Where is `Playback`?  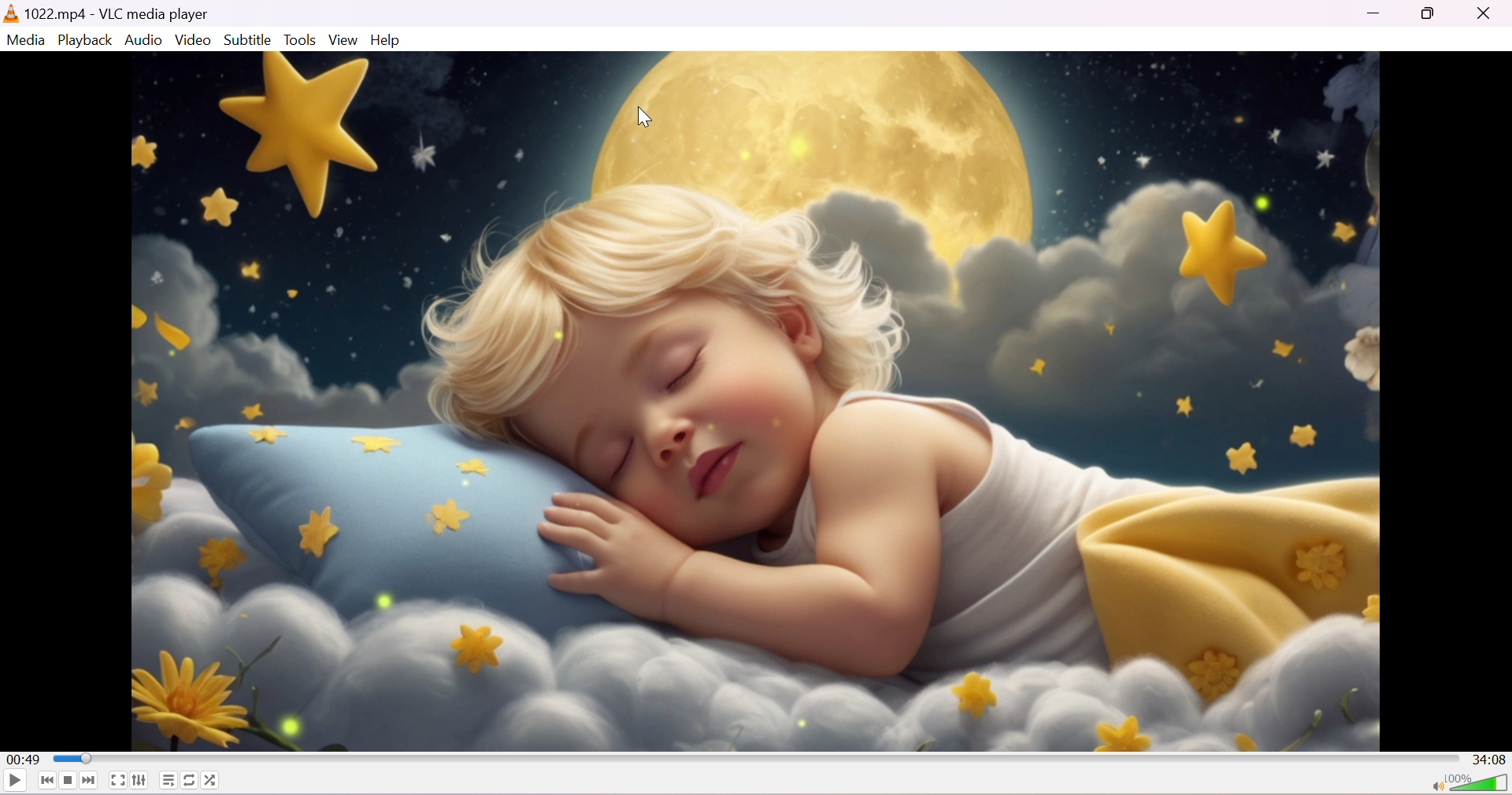 Playback is located at coordinates (83, 40).